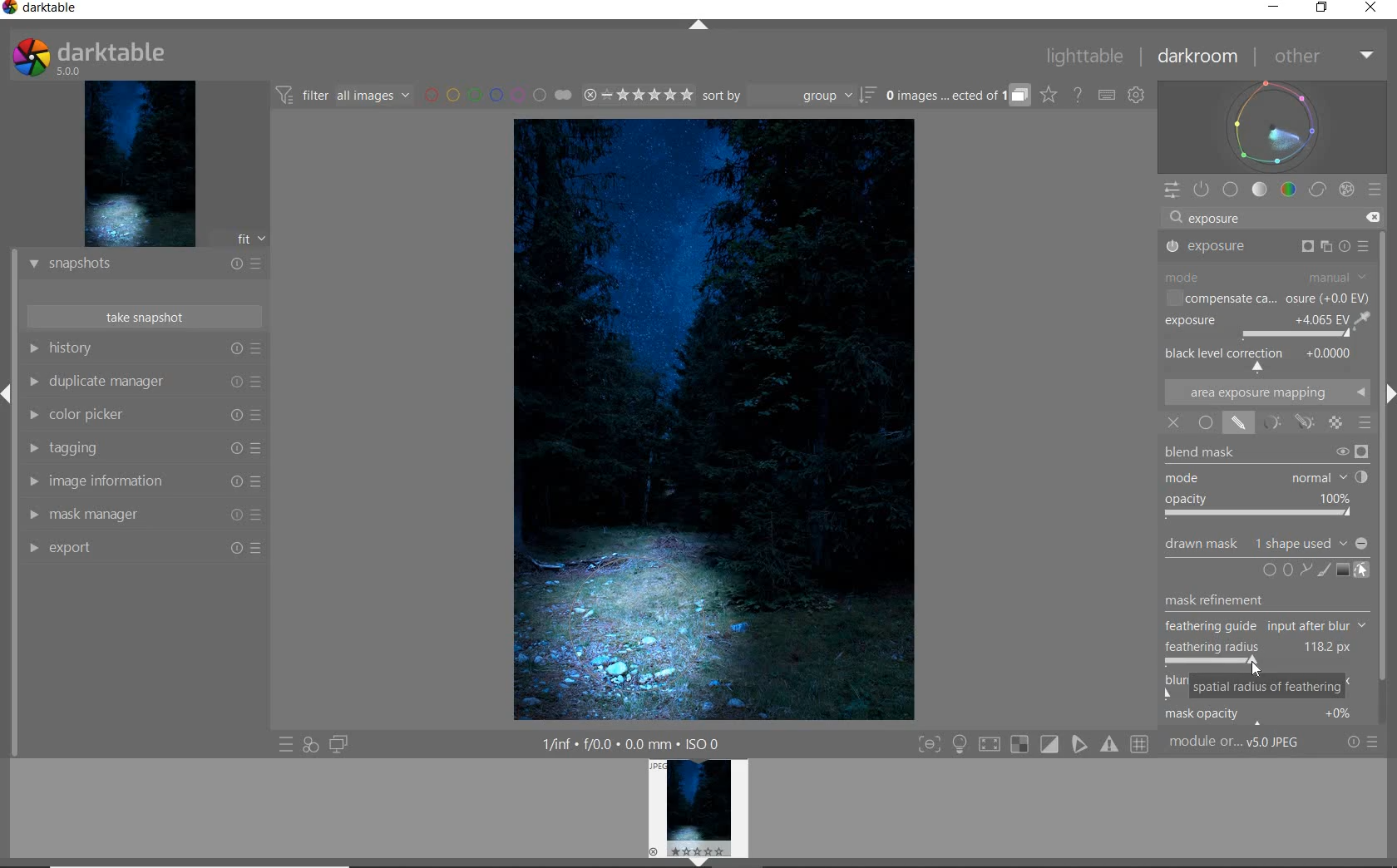 The height and width of the screenshot is (868, 1397). Describe the element at coordinates (1268, 481) in the screenshot. I see `BLEND MASK` at that location.